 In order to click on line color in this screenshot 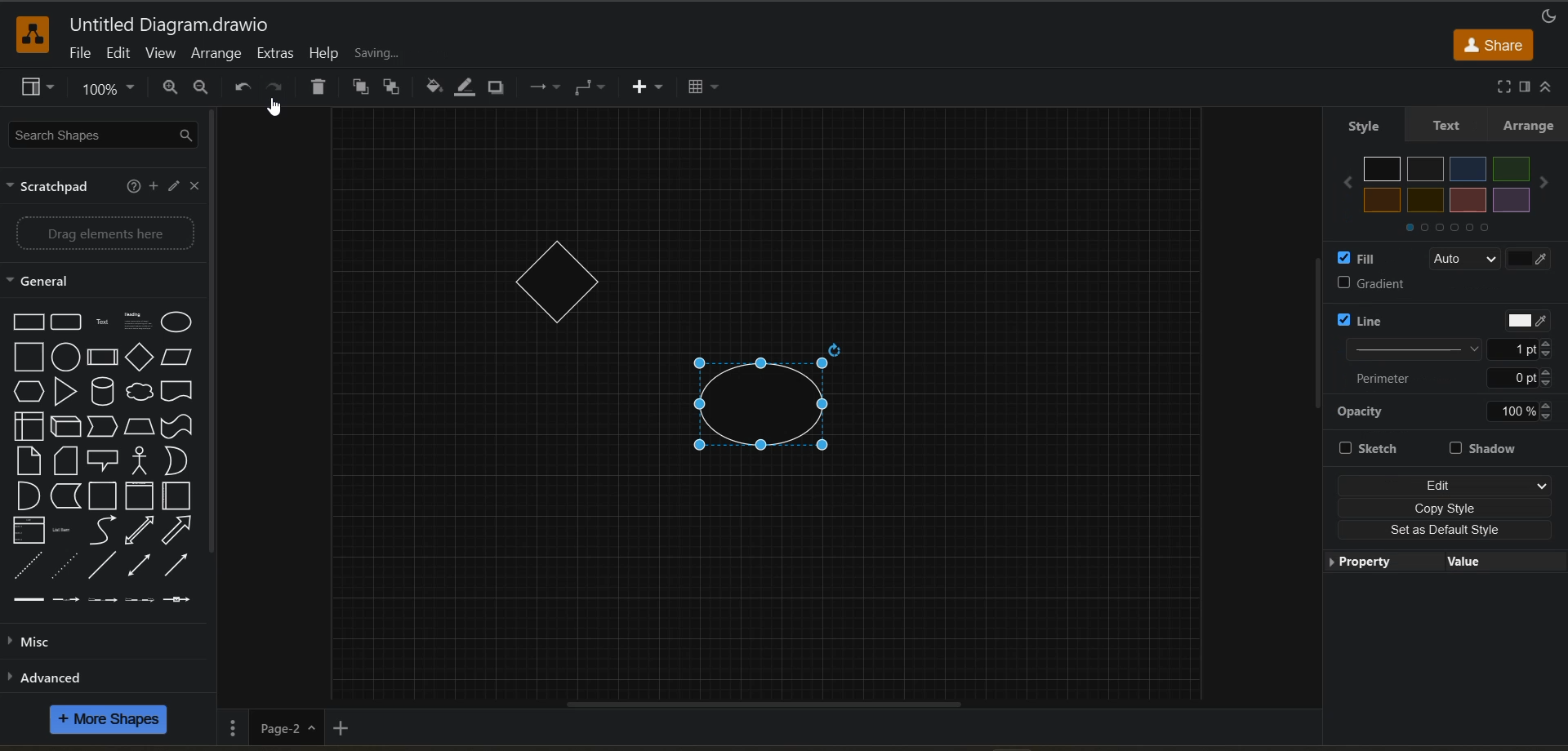, I will do `click(461, 90)`.